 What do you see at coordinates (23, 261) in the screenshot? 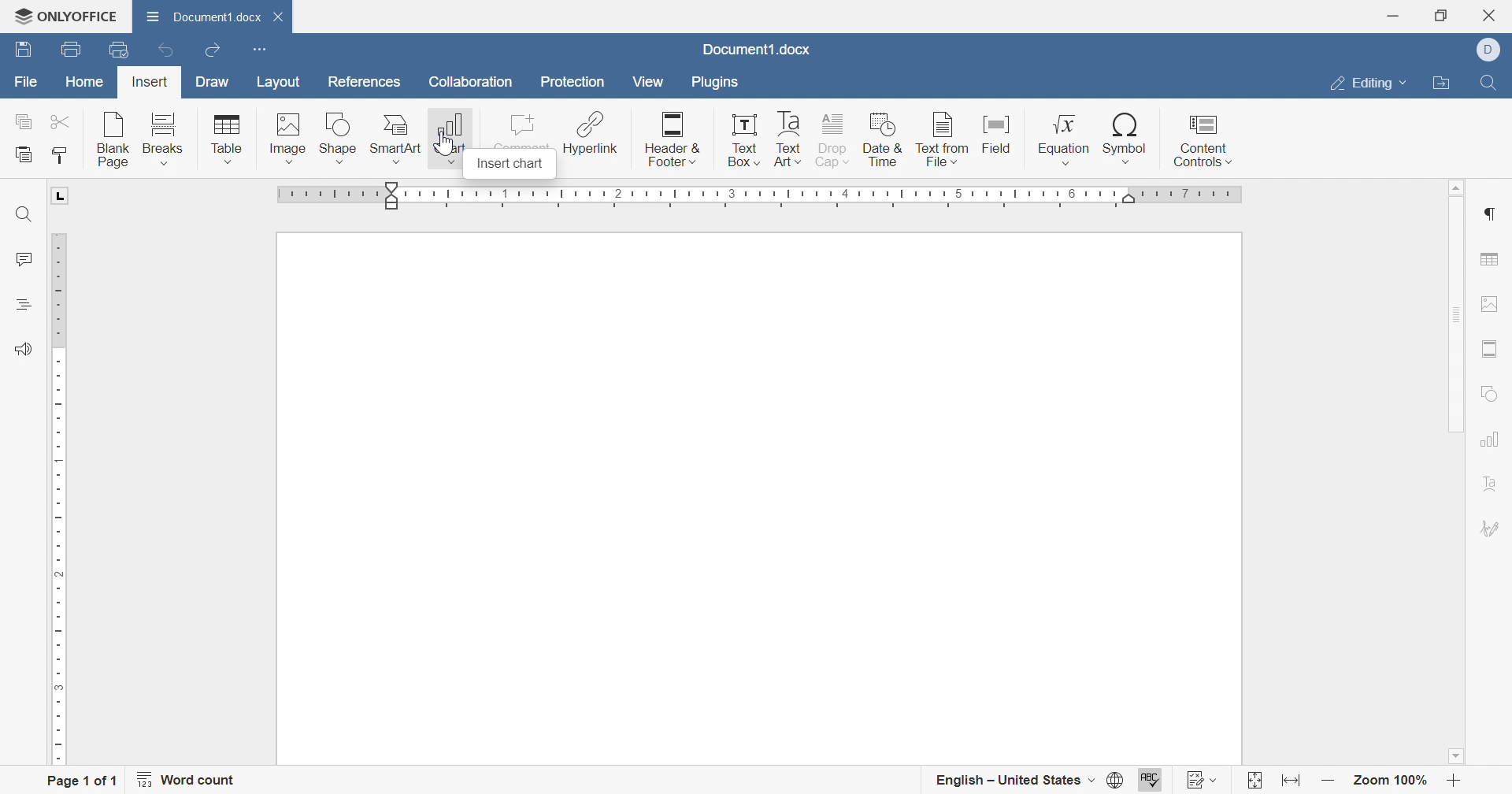
I see `Comments` at bounding box center [23, 261].